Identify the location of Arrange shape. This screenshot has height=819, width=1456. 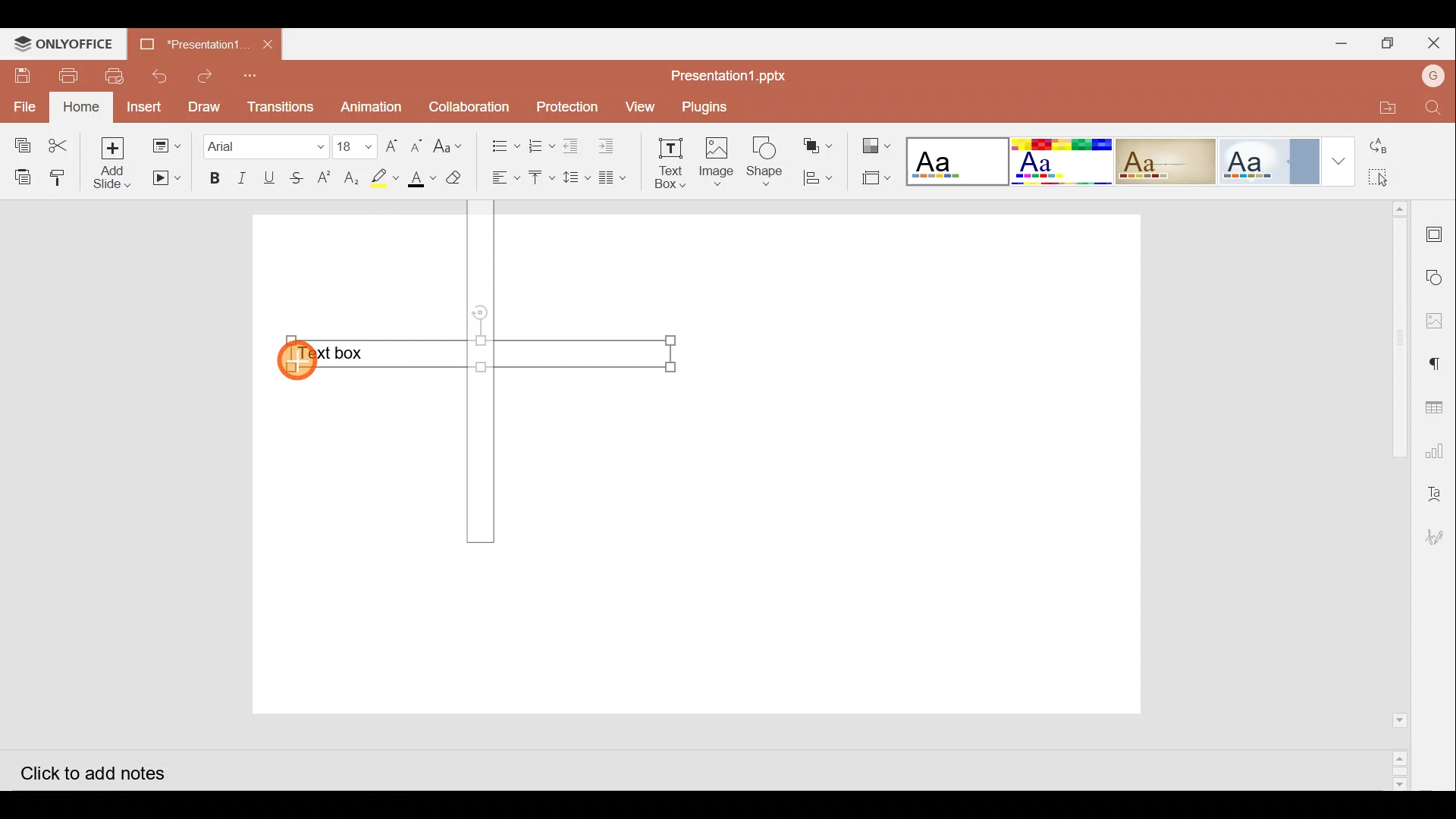
(820, 146).